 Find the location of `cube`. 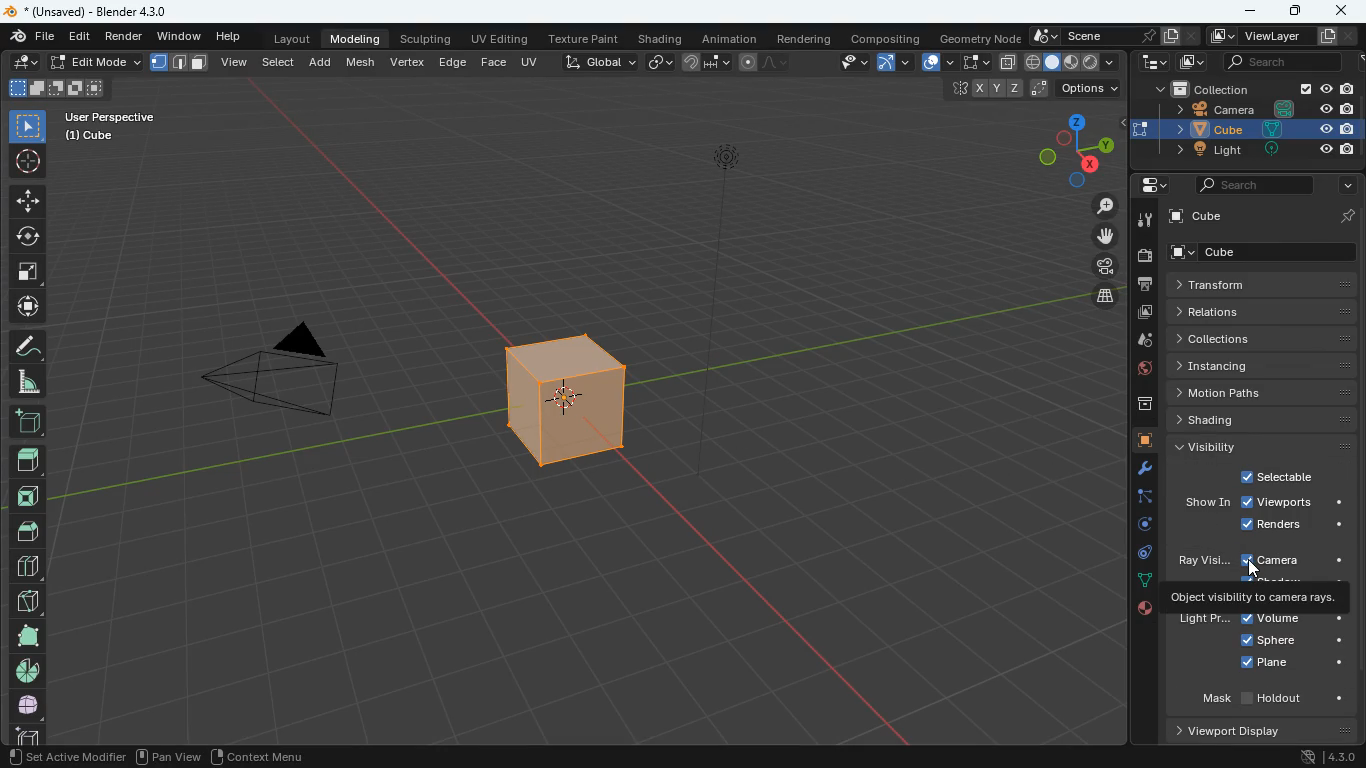

cube is located at coordinates (1268, 252).